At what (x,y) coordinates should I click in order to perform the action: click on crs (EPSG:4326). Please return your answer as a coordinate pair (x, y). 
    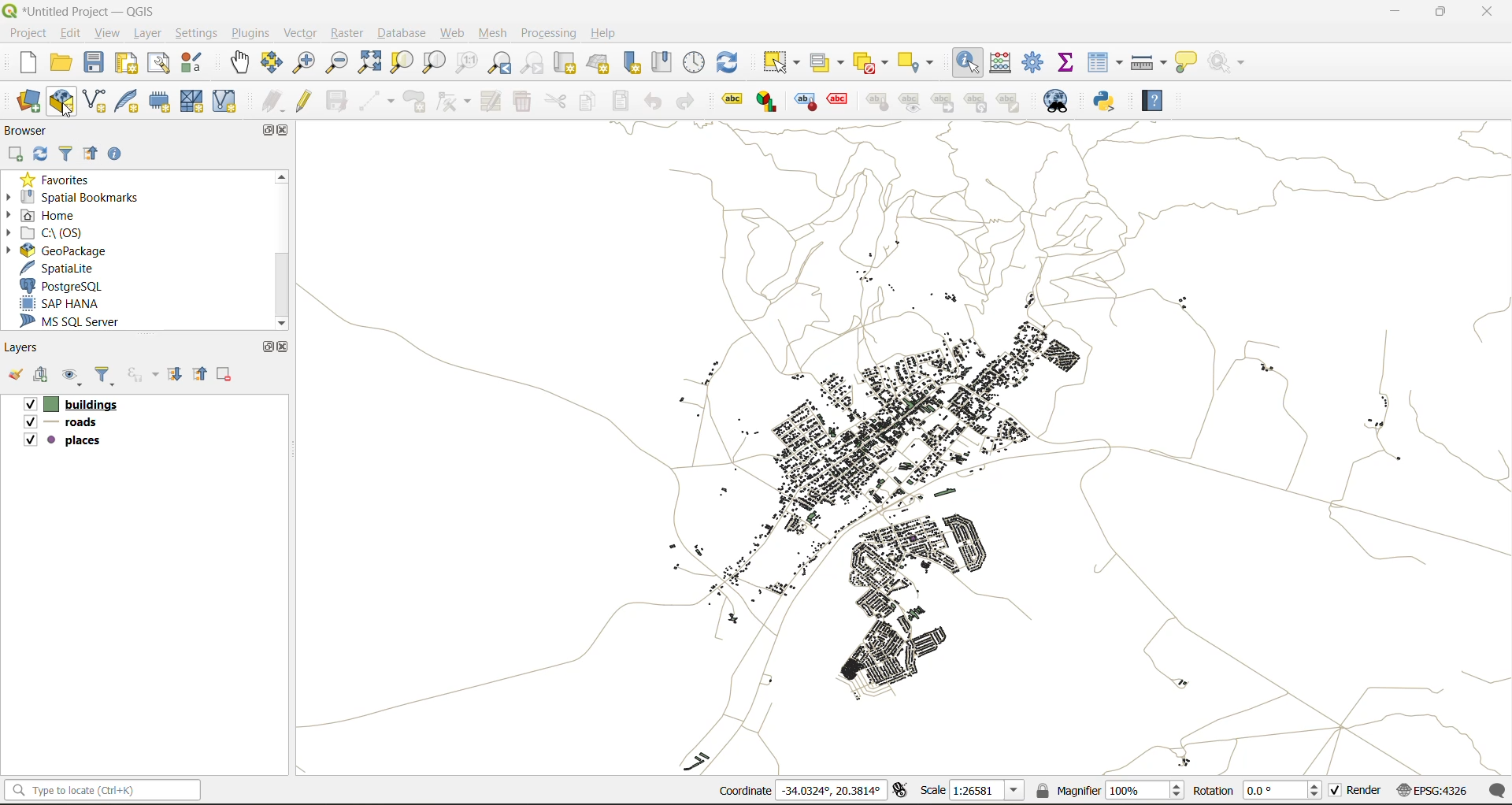
    Looking at the image, I should click on (1436, 791).